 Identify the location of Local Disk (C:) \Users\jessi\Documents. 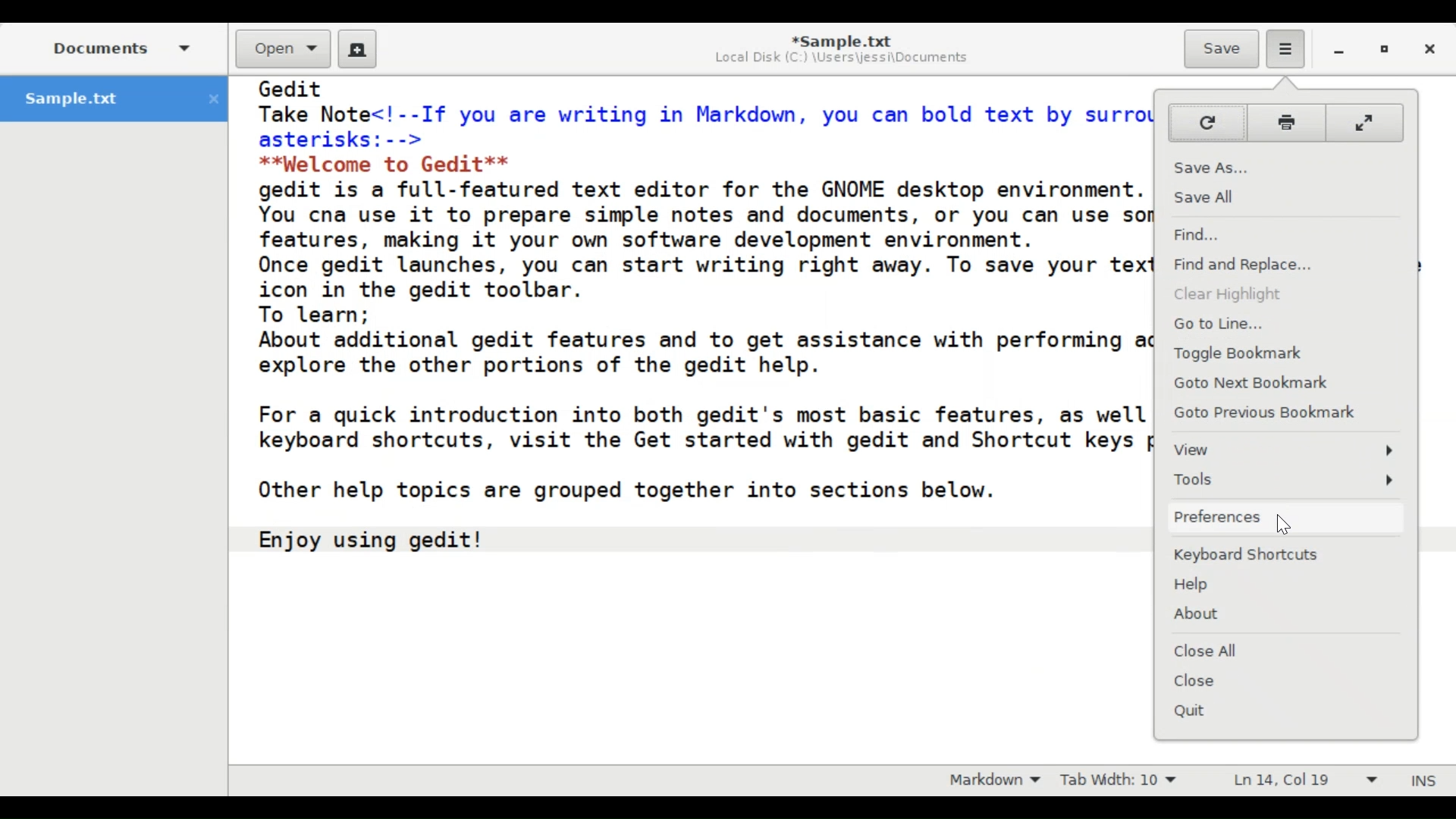
(841, 61).